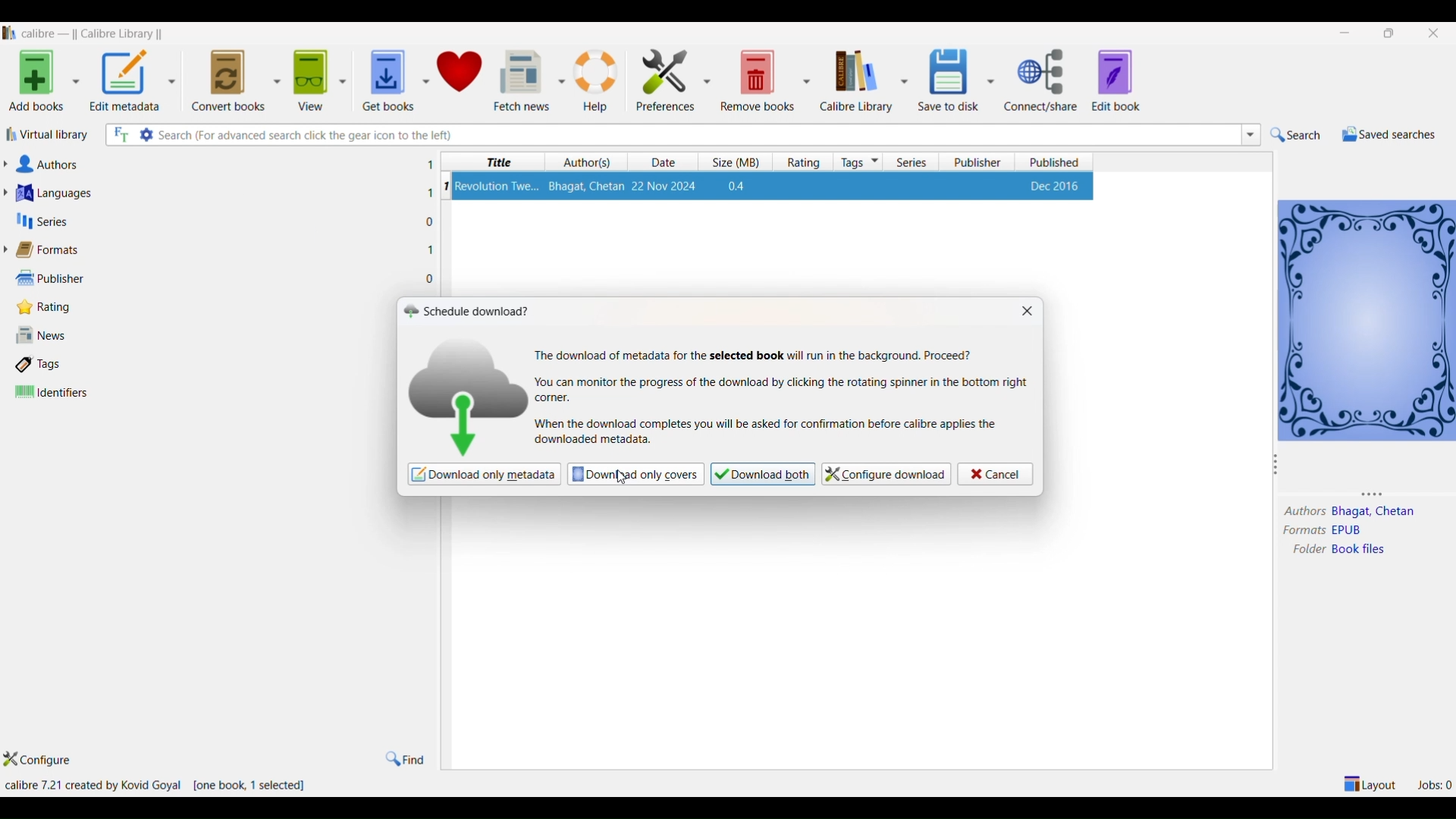  What do you see at coordinates (9, 164) in the screenshot?
I see `view all authors dropdown button` at bounding box center [9, 164].